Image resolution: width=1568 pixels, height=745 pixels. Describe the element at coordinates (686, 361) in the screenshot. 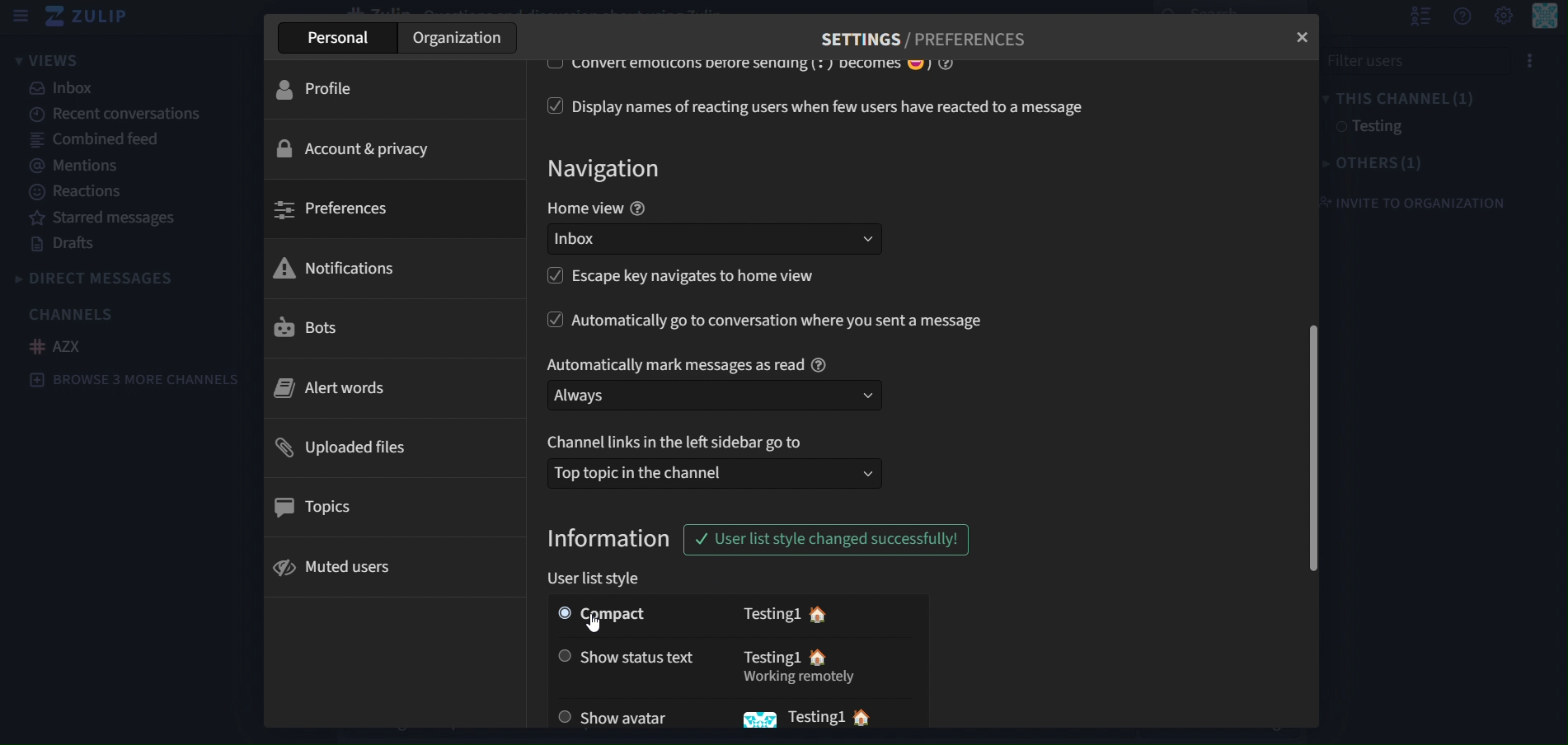

I see `Automatically mark messages as read` at that location.